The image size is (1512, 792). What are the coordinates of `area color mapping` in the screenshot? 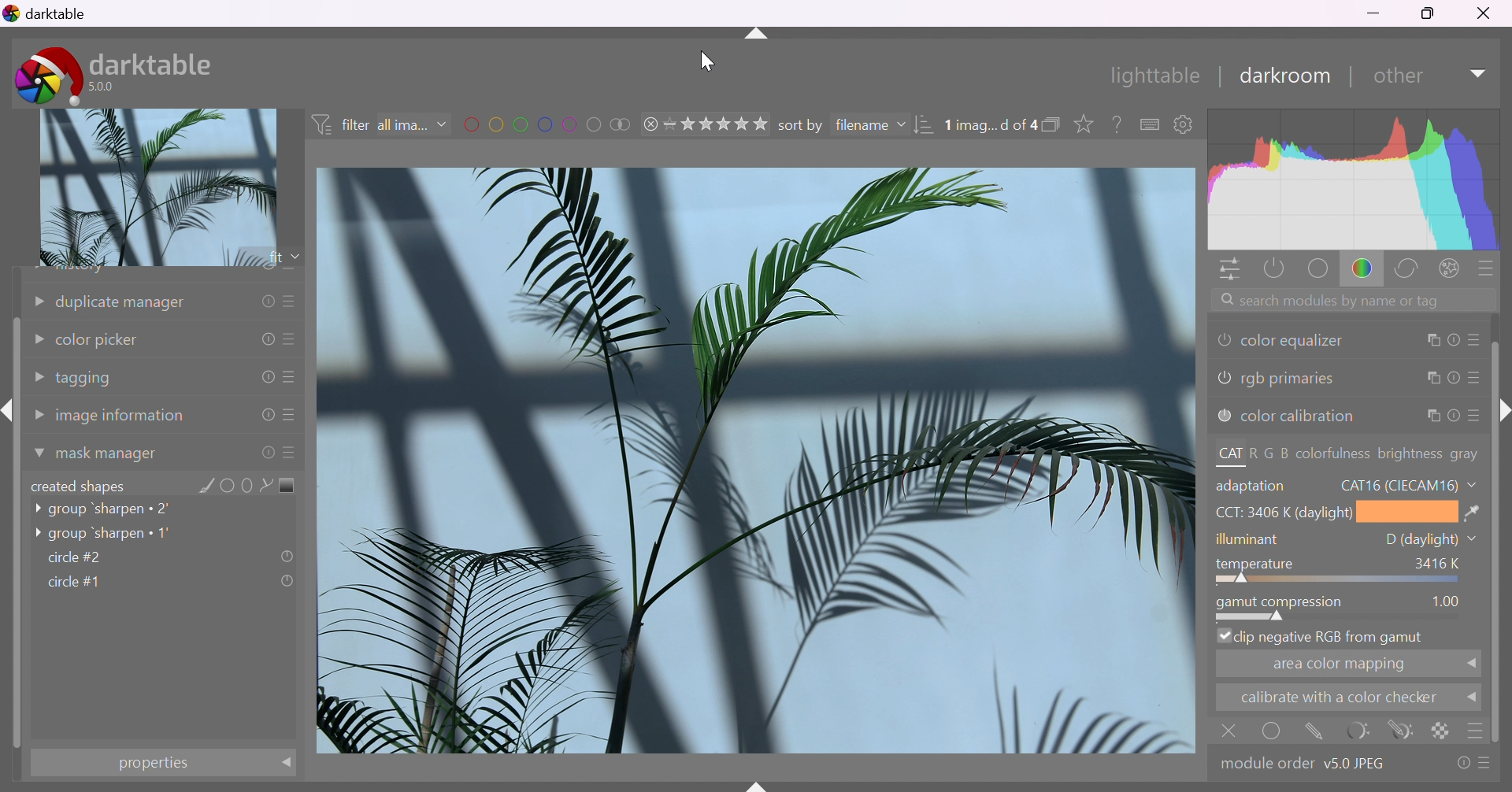 It's located at (1344, 664).